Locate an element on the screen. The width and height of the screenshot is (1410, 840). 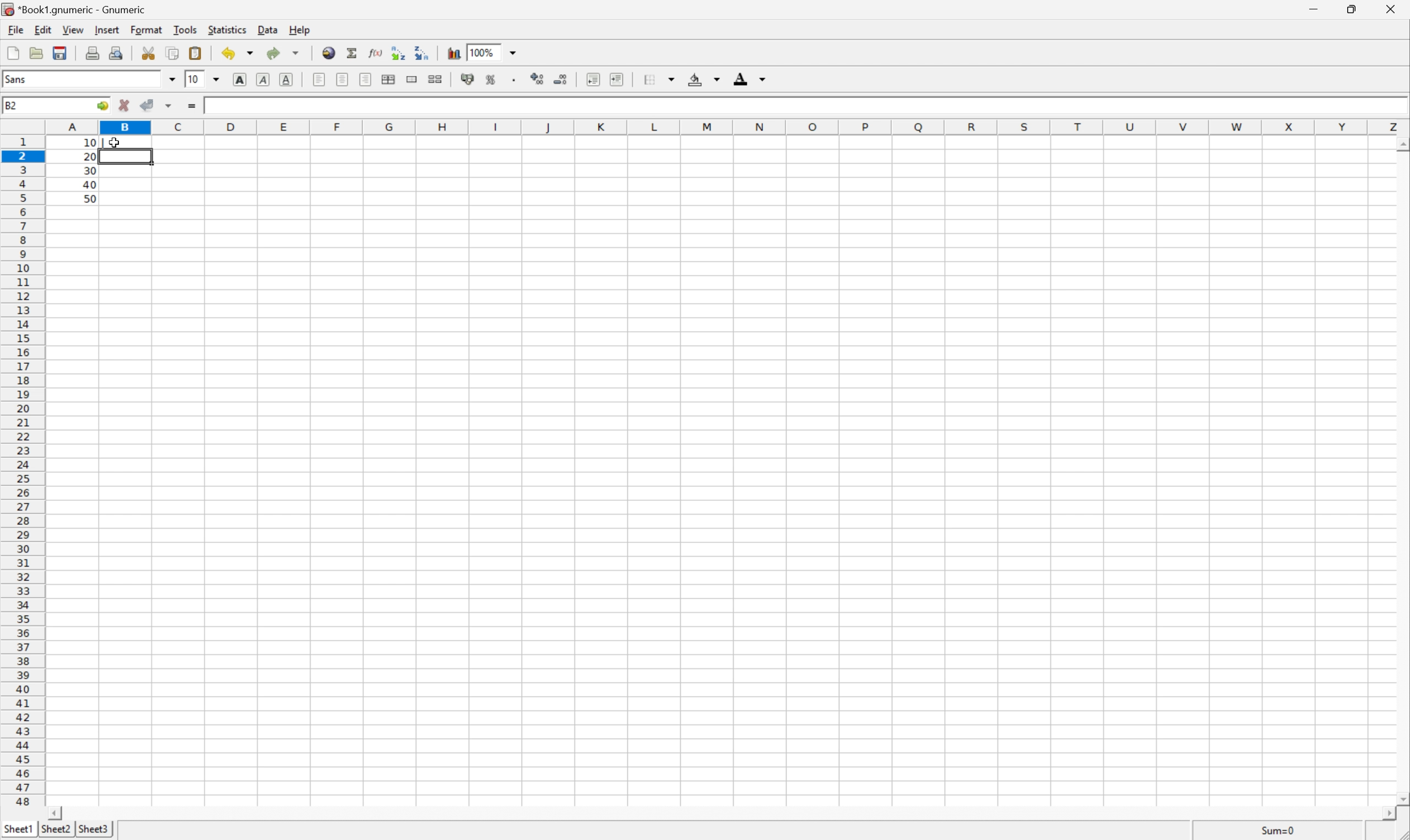
Split the ranges of merged cells is located at coordinates (435, 79).